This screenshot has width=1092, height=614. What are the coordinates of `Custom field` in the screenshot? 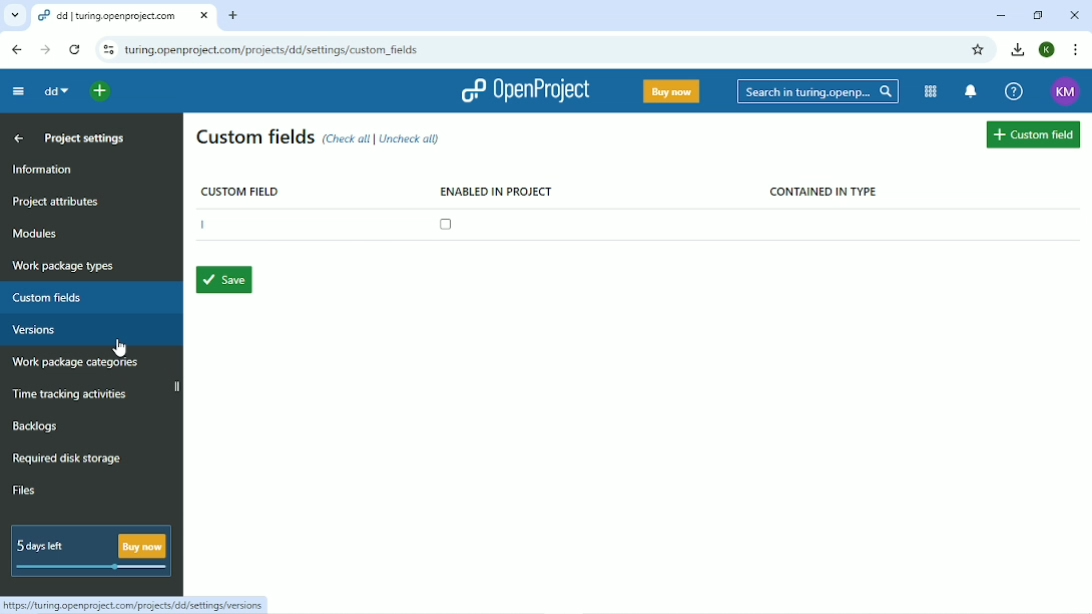 It's located at (238, 190).